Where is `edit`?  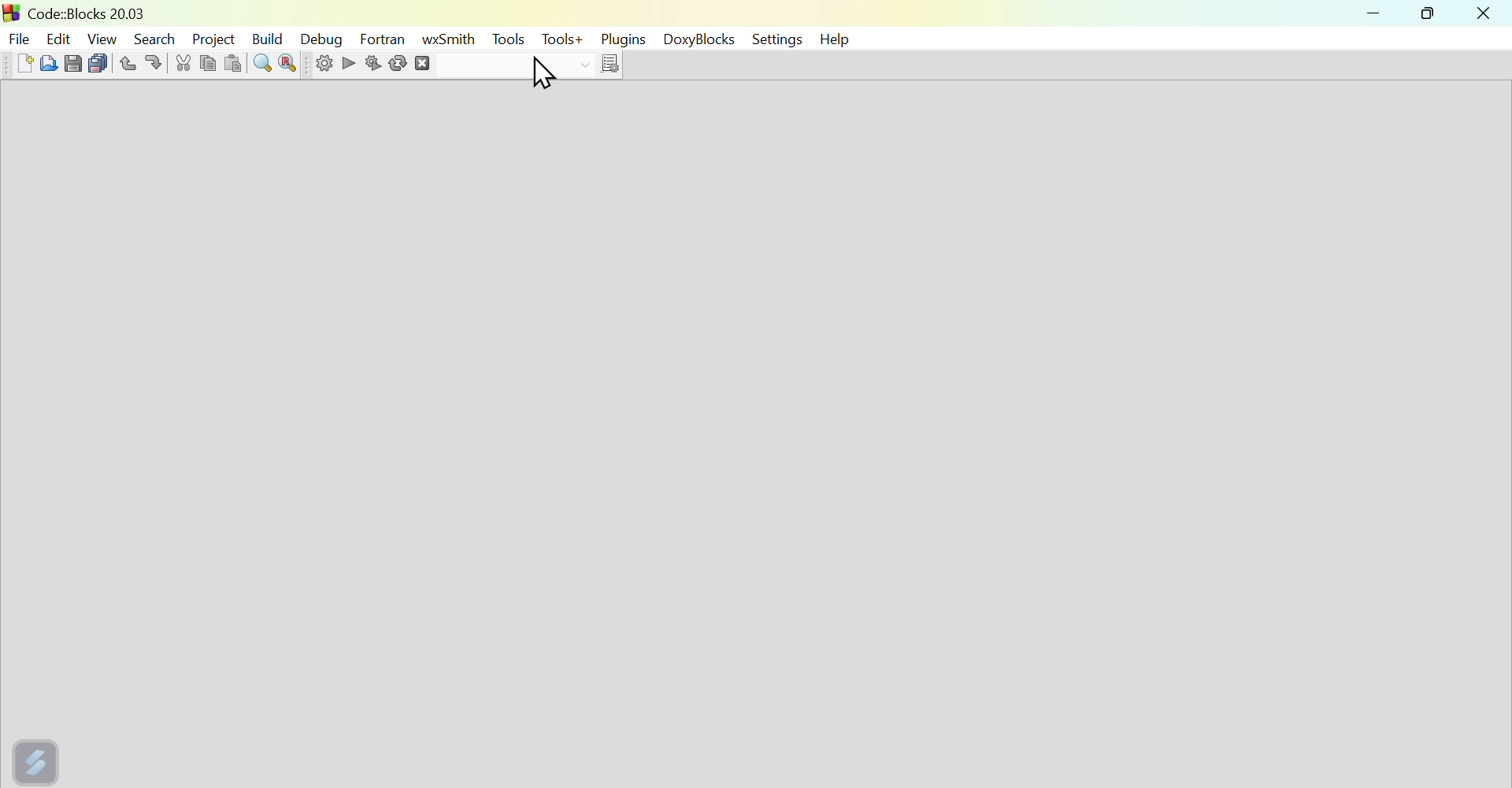
edit is located at coordinates (59, 34).